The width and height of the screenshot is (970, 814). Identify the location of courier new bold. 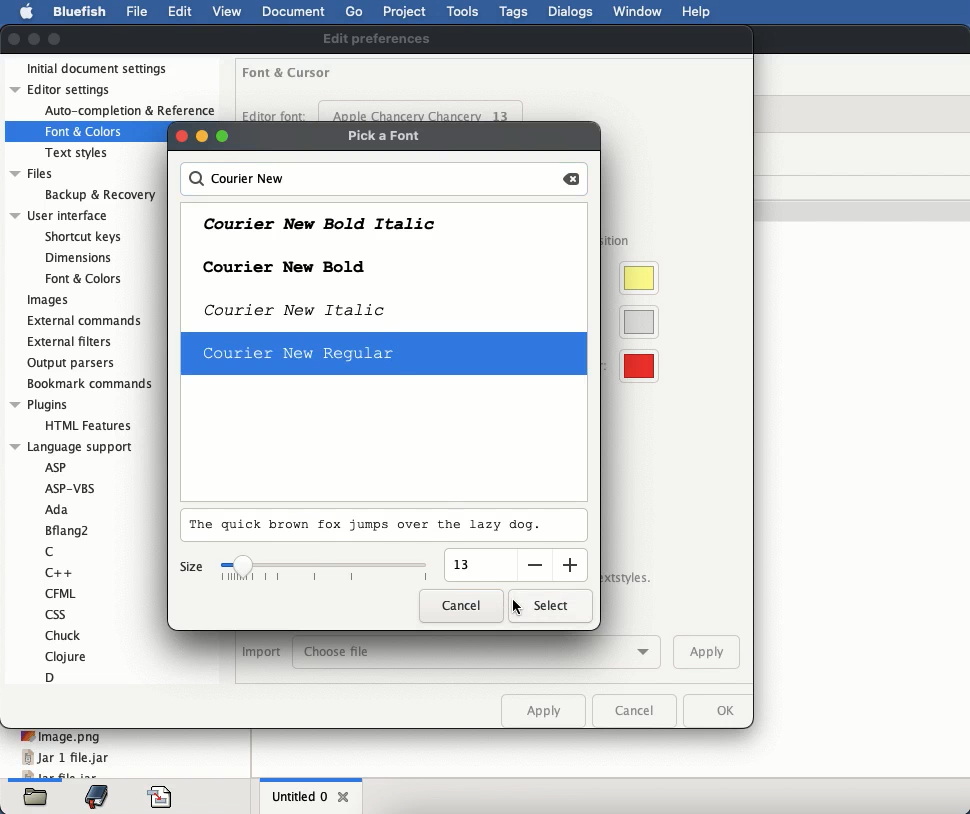
(281, 266).